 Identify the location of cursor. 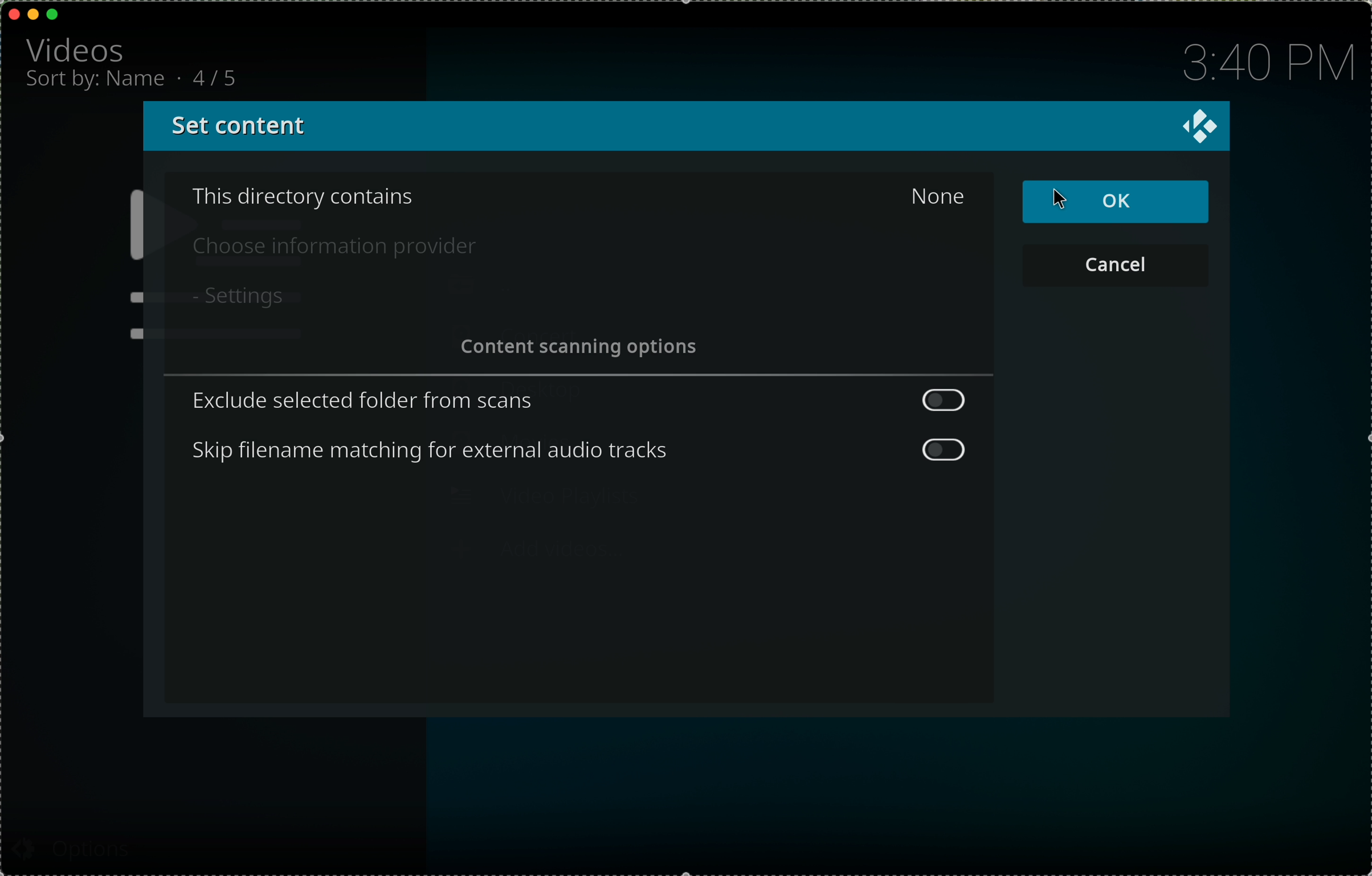
(1071, 201).